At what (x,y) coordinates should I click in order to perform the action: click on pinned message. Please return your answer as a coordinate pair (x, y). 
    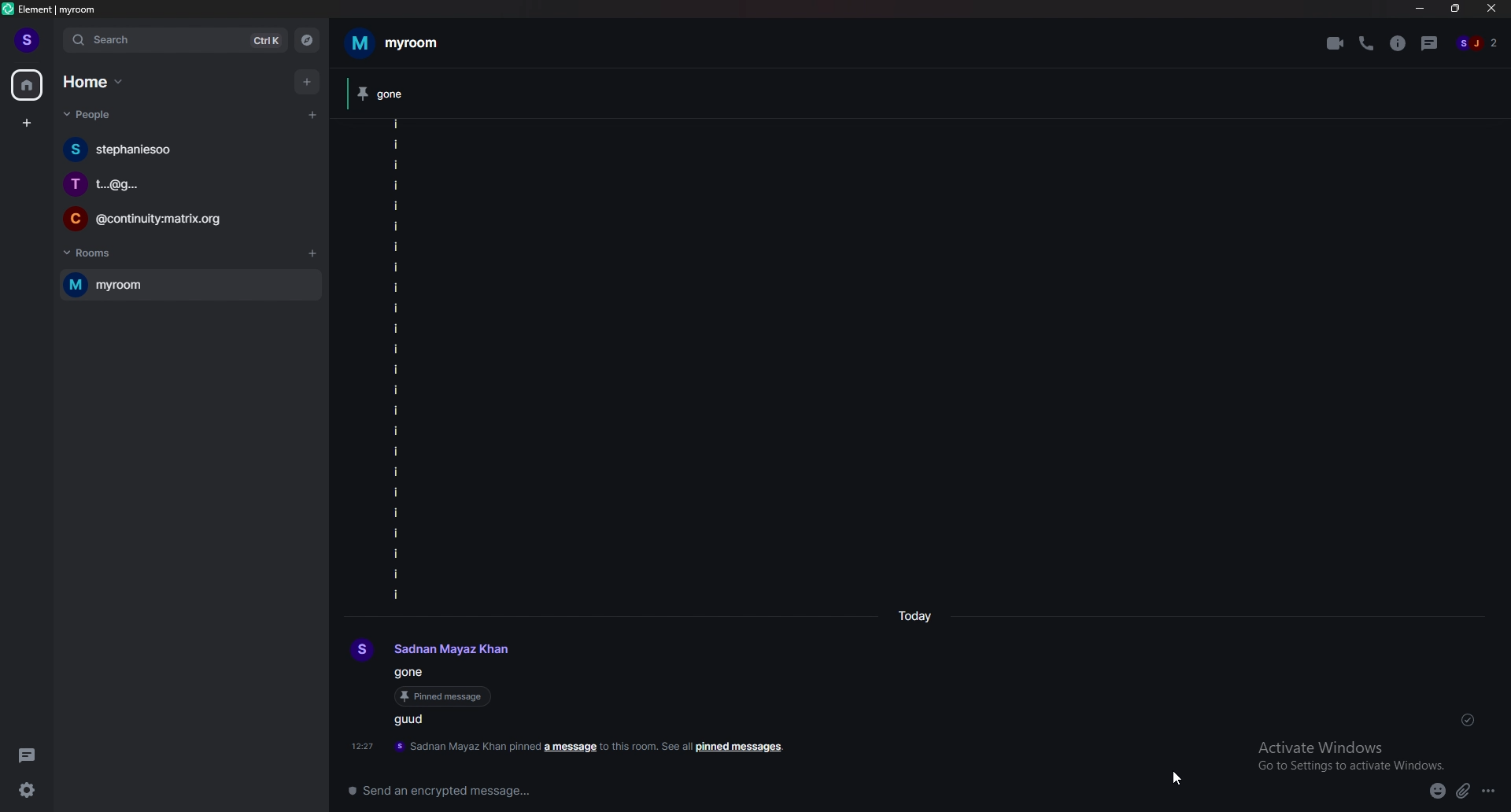
    Looking at the image, I should click on (446, 698).